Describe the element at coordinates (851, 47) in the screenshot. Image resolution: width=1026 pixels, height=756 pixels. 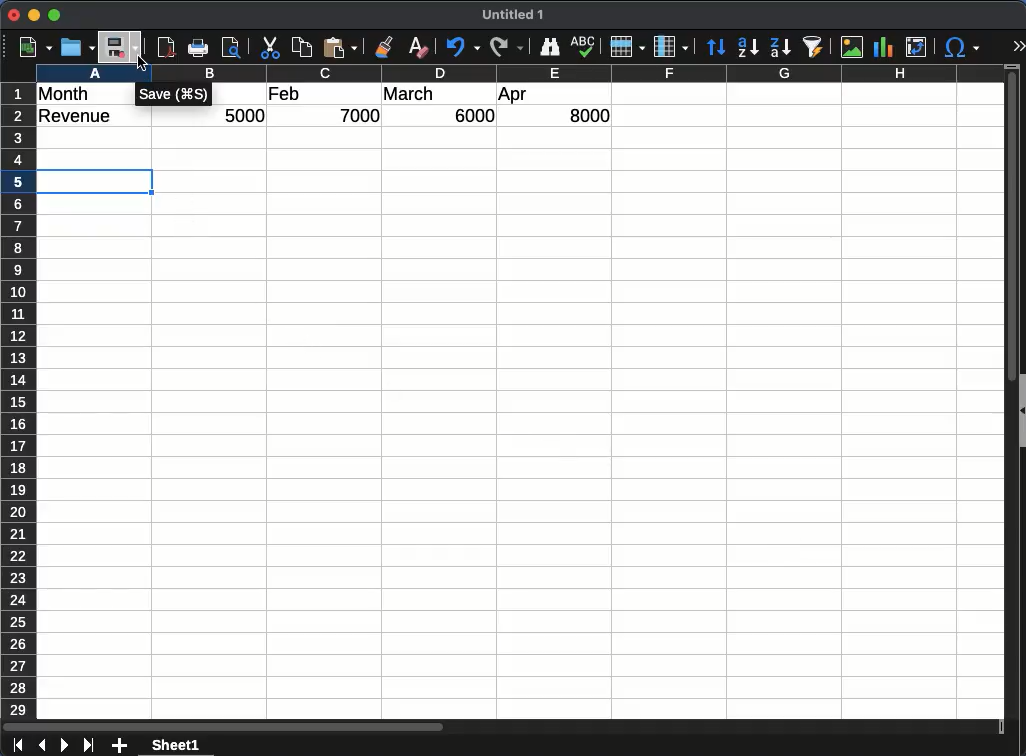
I see `image` at that location.